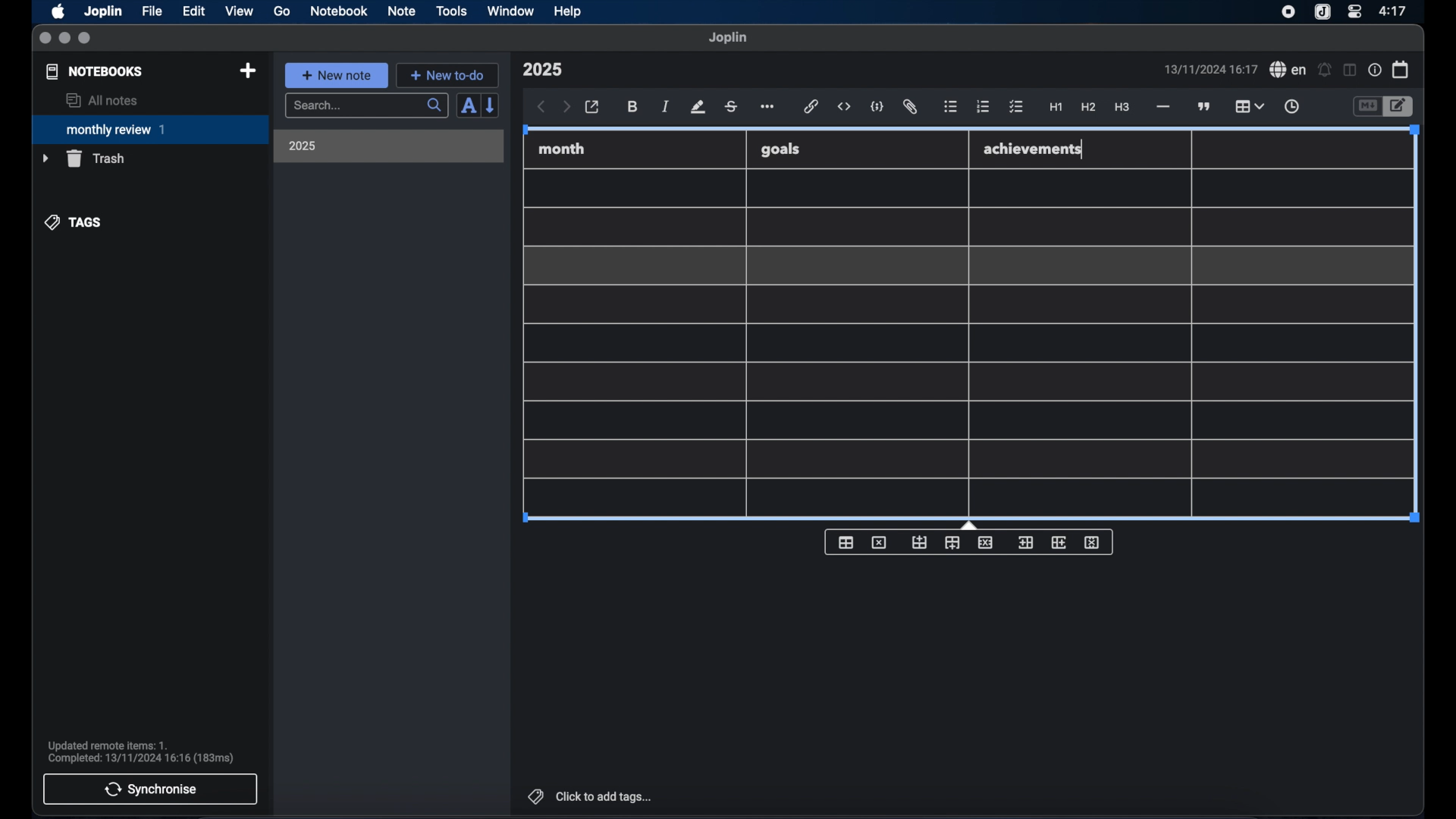 This screenshot has width=1456, height=819. I want to click on all notes, so click(102, 100).